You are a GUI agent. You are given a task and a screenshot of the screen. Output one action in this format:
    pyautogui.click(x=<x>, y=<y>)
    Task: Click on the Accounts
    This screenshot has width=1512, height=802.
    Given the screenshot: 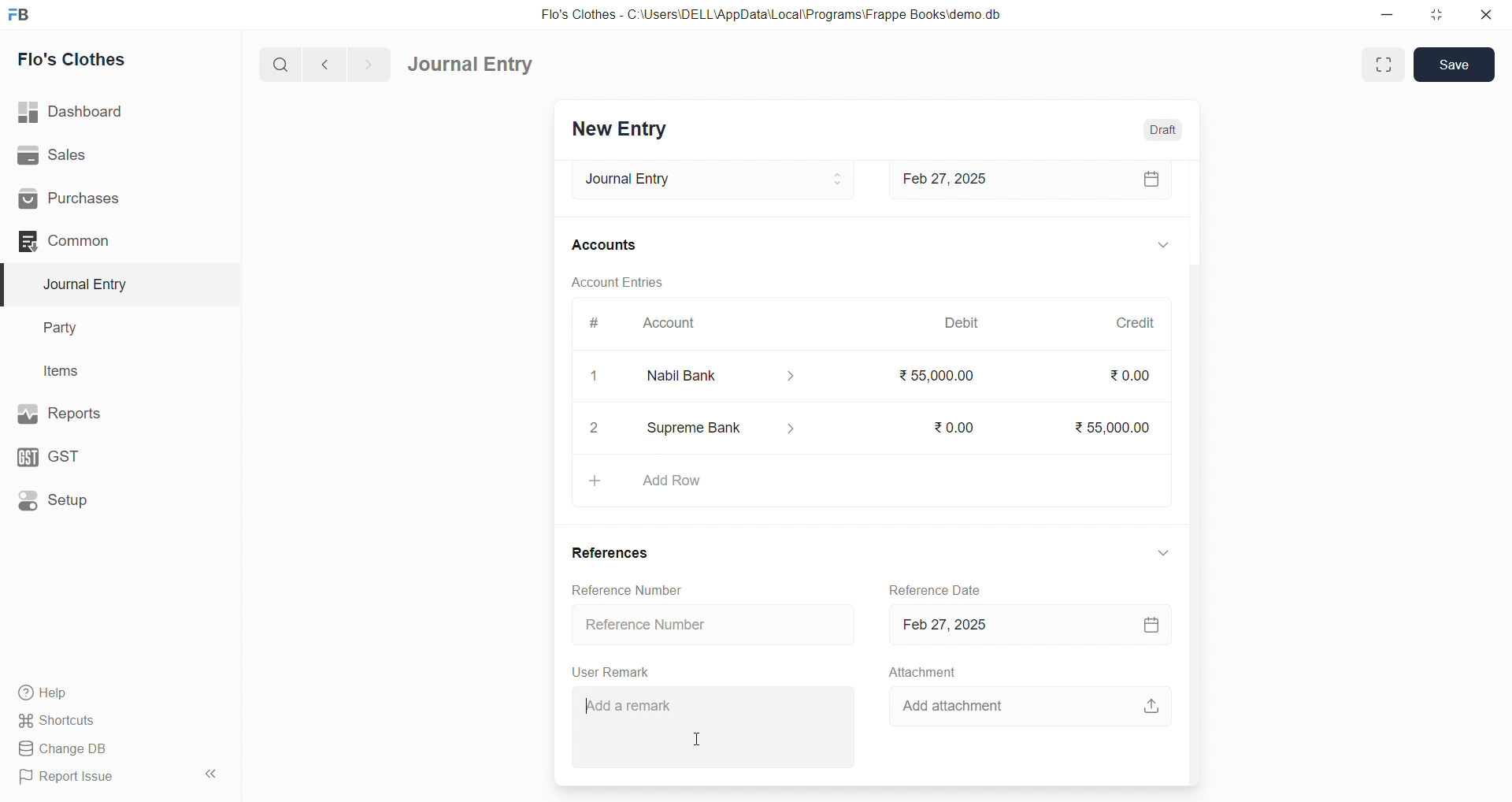 What is the action you would take?
    pyautogui.click(x=606, y=247)
    